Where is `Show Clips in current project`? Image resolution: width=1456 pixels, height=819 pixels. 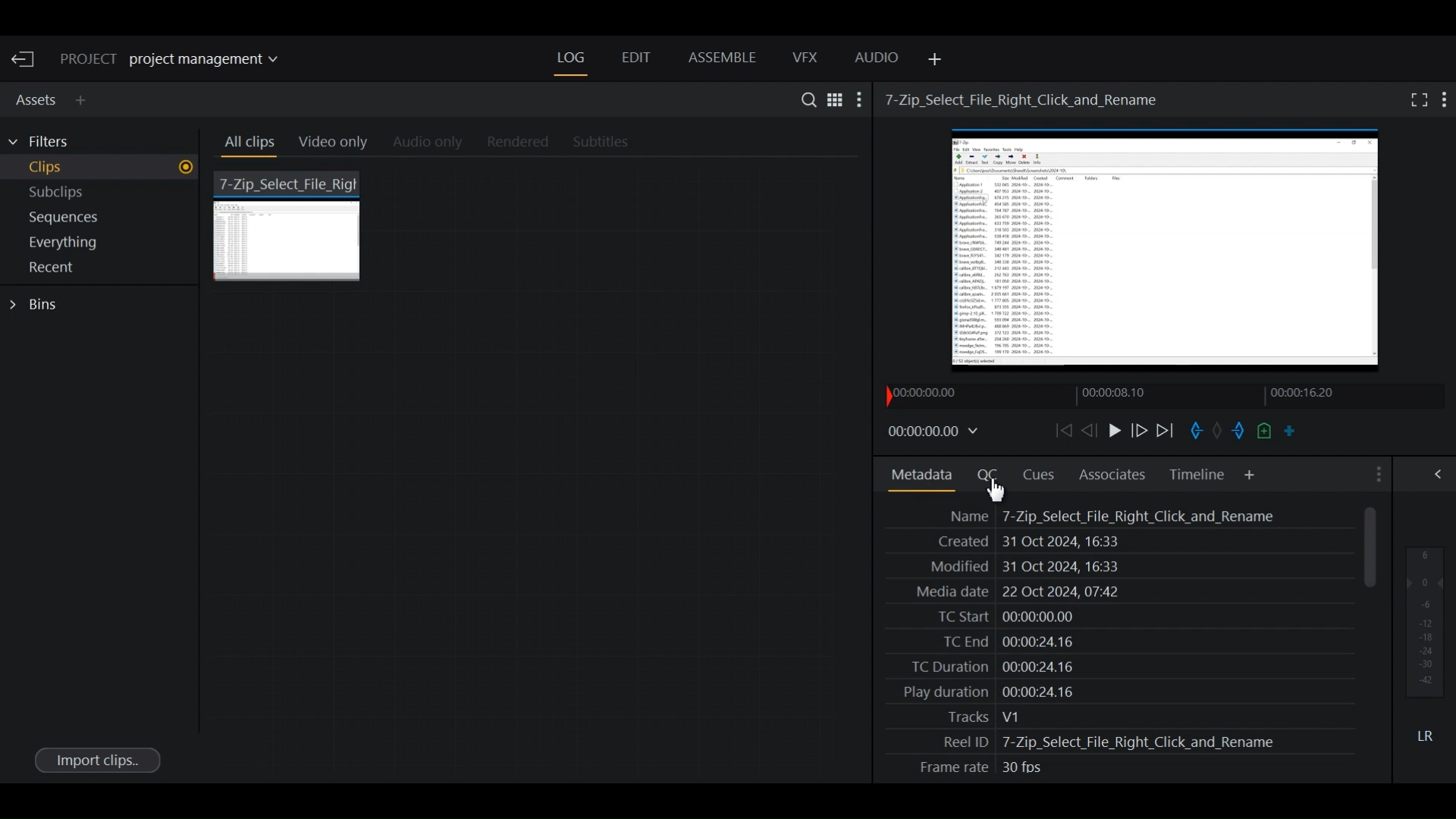
Show Clips in current project is located at coordinates (102, 169).